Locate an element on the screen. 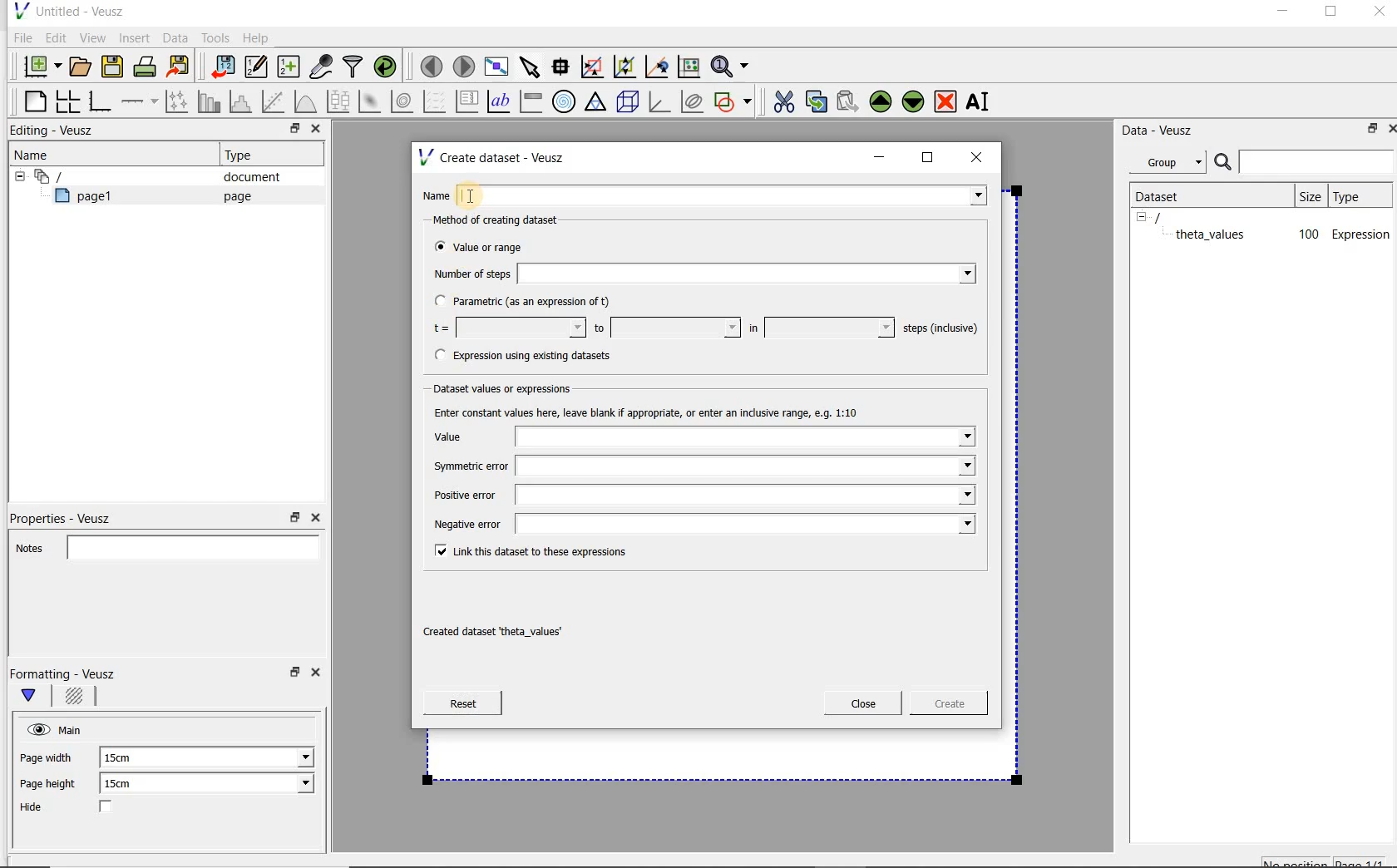 The height and width of the screenshot is (868, 1397). Positive error is located at coordinates (698, 499).